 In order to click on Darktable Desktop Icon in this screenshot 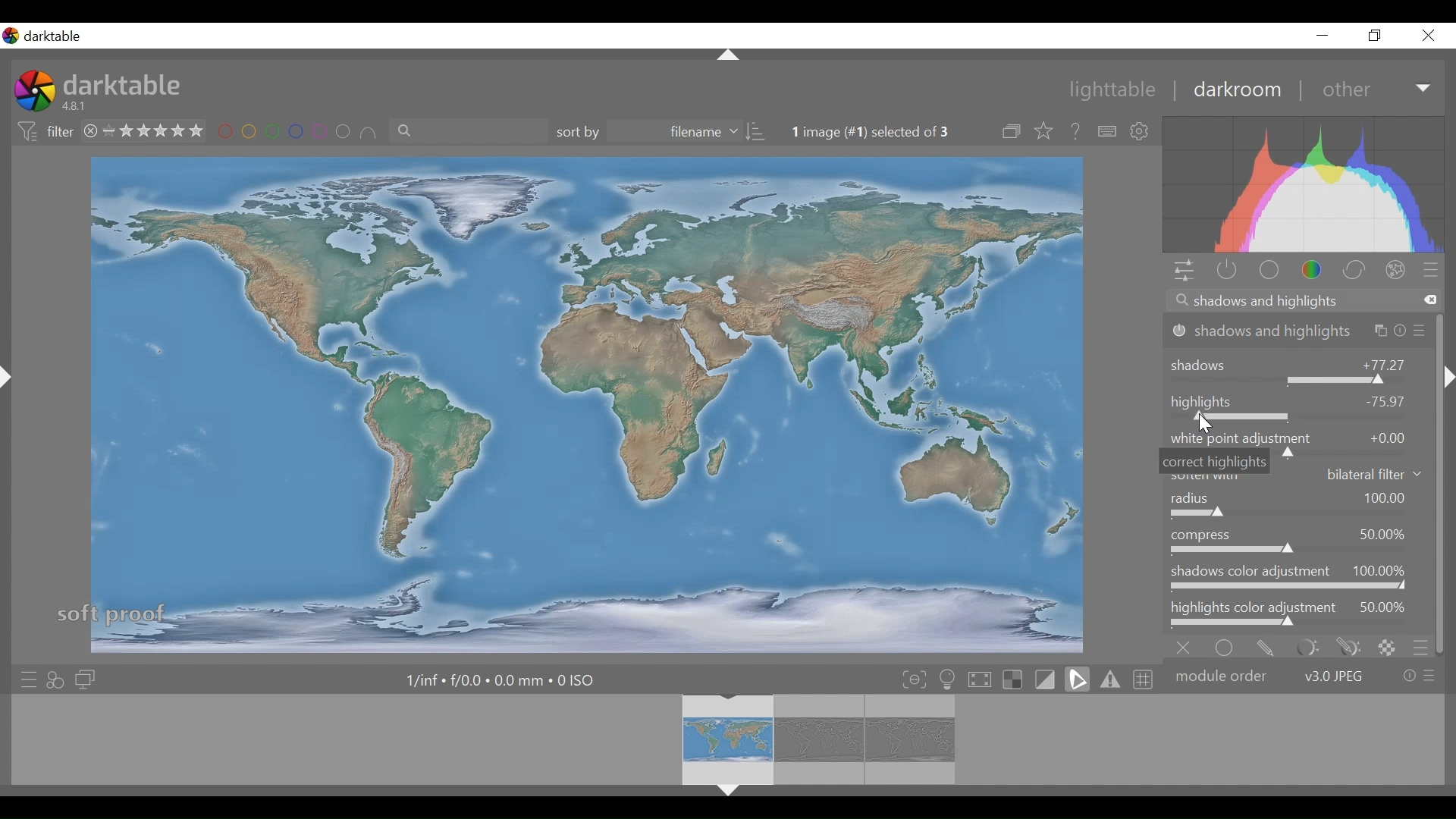, I will do `click(33, 93)`.